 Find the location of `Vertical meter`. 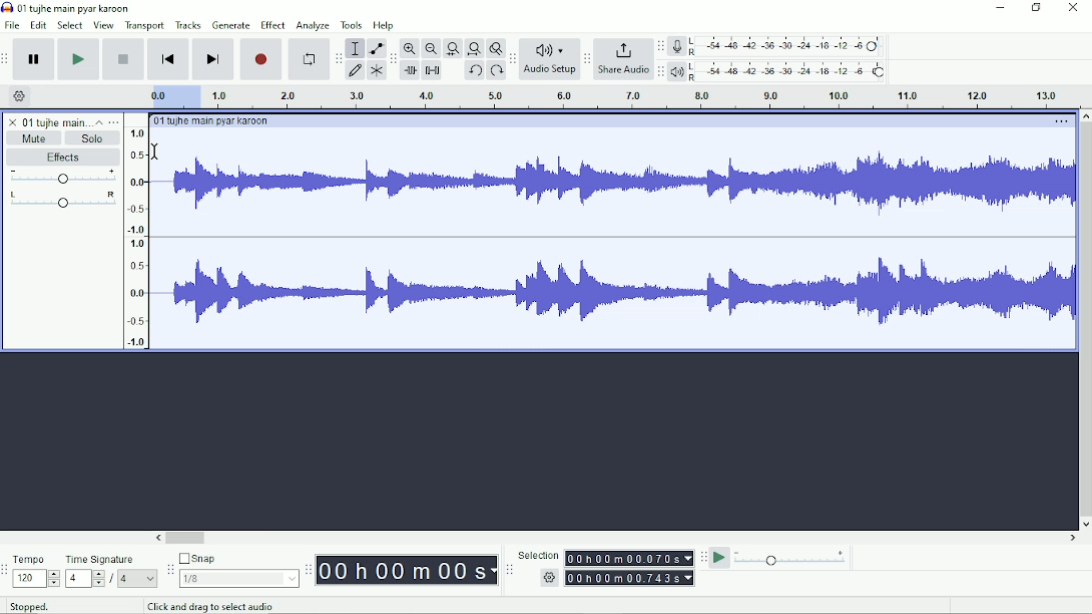

Vertical meter is located at coordinates (133, 237).